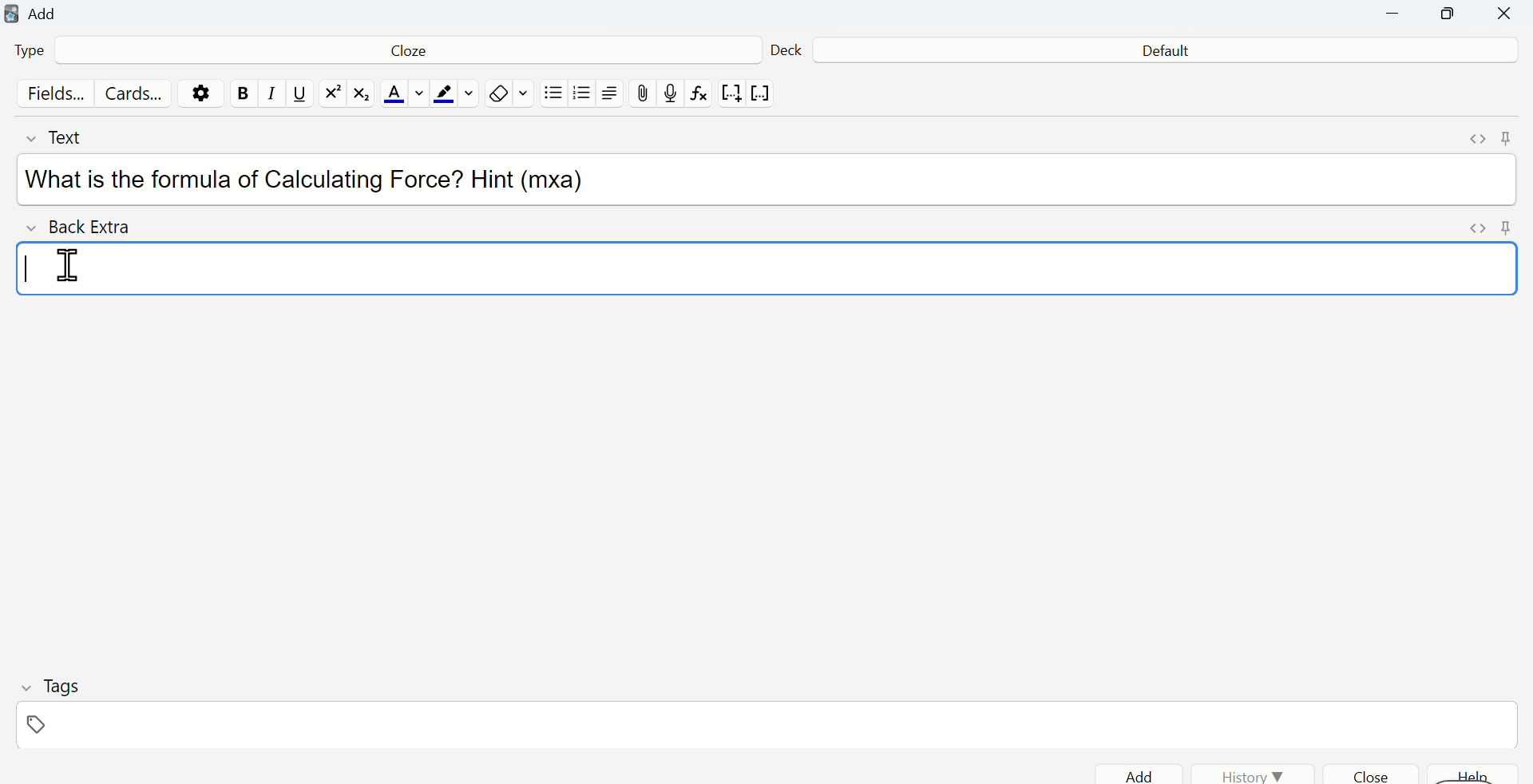  What do you see at coordinates (553, 97) in the screenshot?
I see `Bullet list` at bounding box center [553, 97].